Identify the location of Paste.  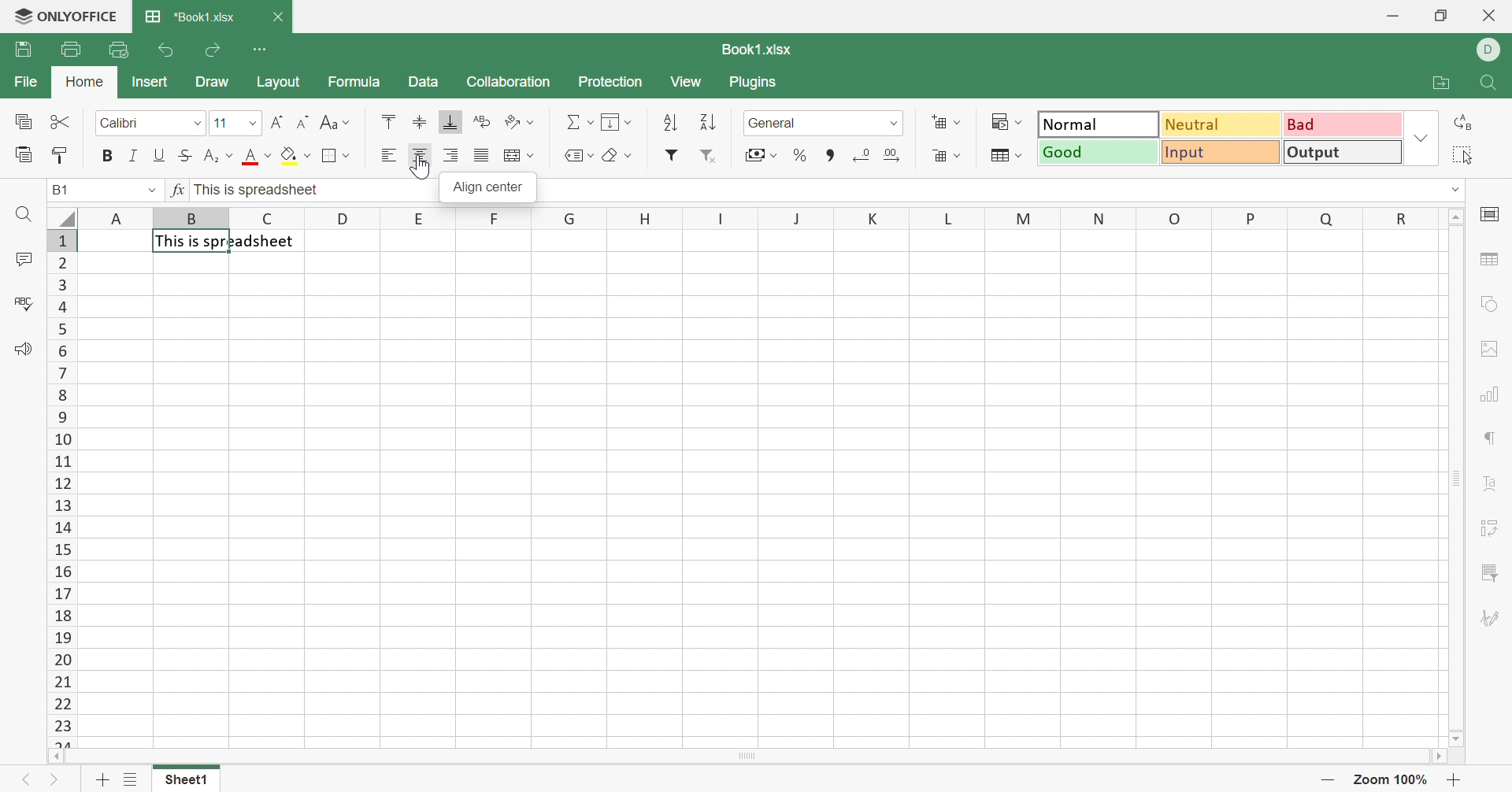
(24, 154).